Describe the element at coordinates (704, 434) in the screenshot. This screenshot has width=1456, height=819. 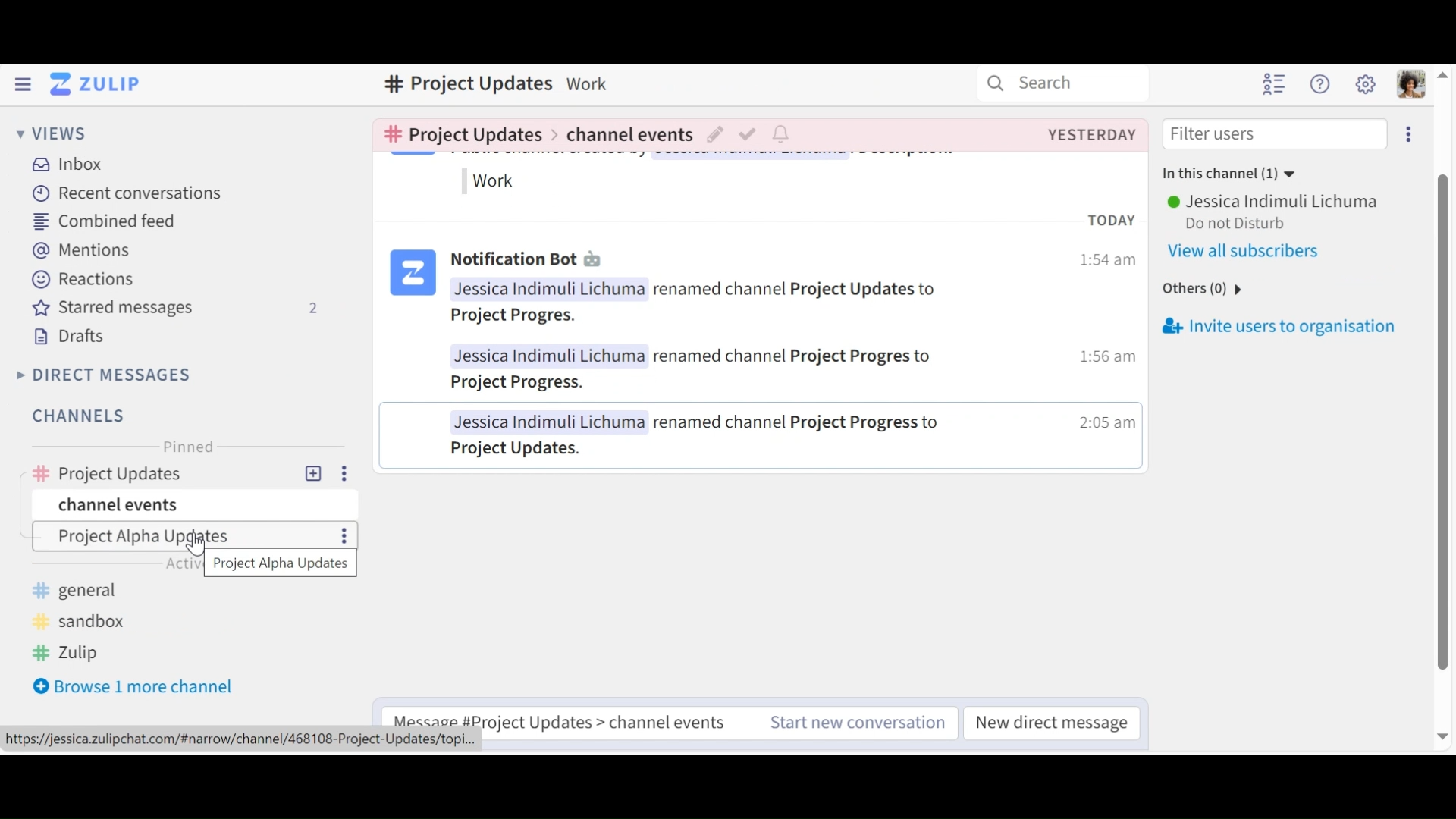
I see `Jessica Indimuli Lichuma renamed channel Project Progress to
Project Updates.` at that location.